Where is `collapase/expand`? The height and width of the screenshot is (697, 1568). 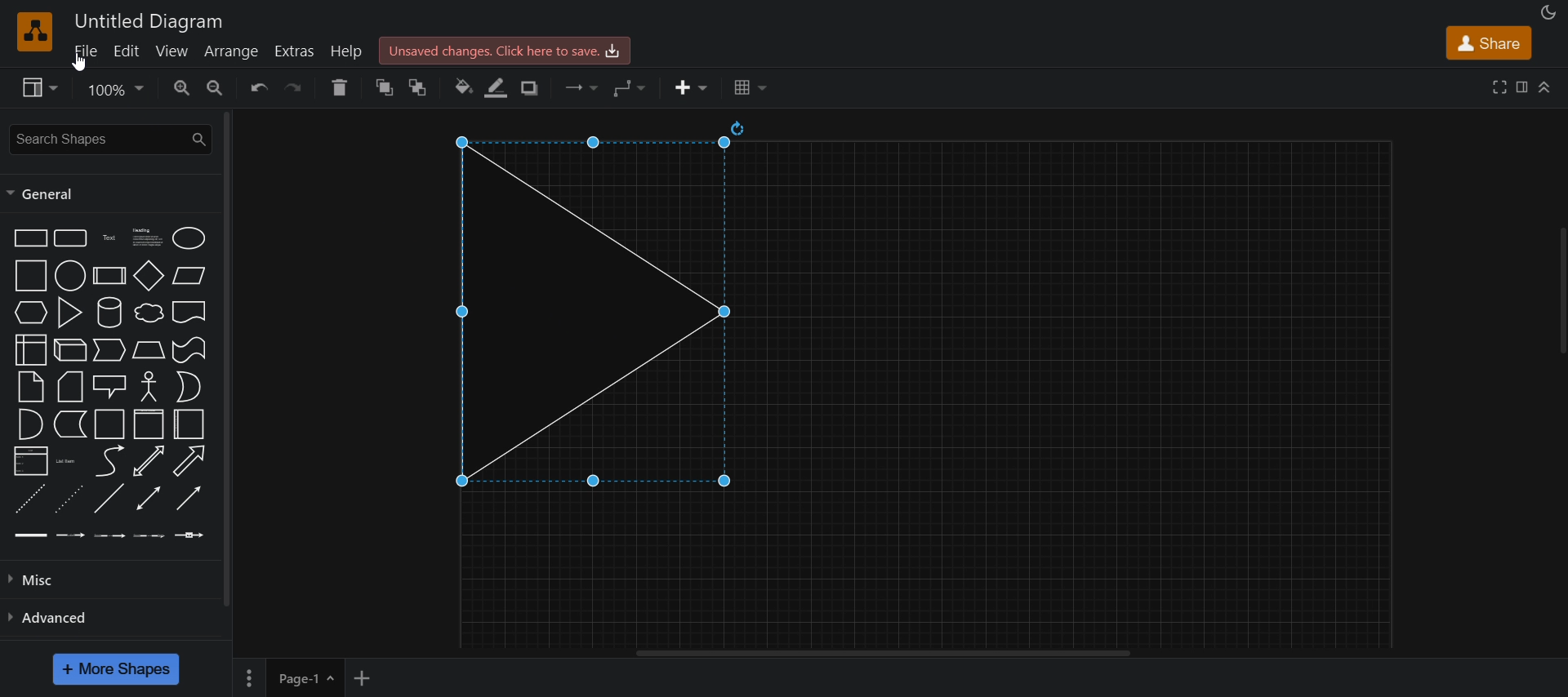
collapase/expand is located at coordinates (1543, 89).